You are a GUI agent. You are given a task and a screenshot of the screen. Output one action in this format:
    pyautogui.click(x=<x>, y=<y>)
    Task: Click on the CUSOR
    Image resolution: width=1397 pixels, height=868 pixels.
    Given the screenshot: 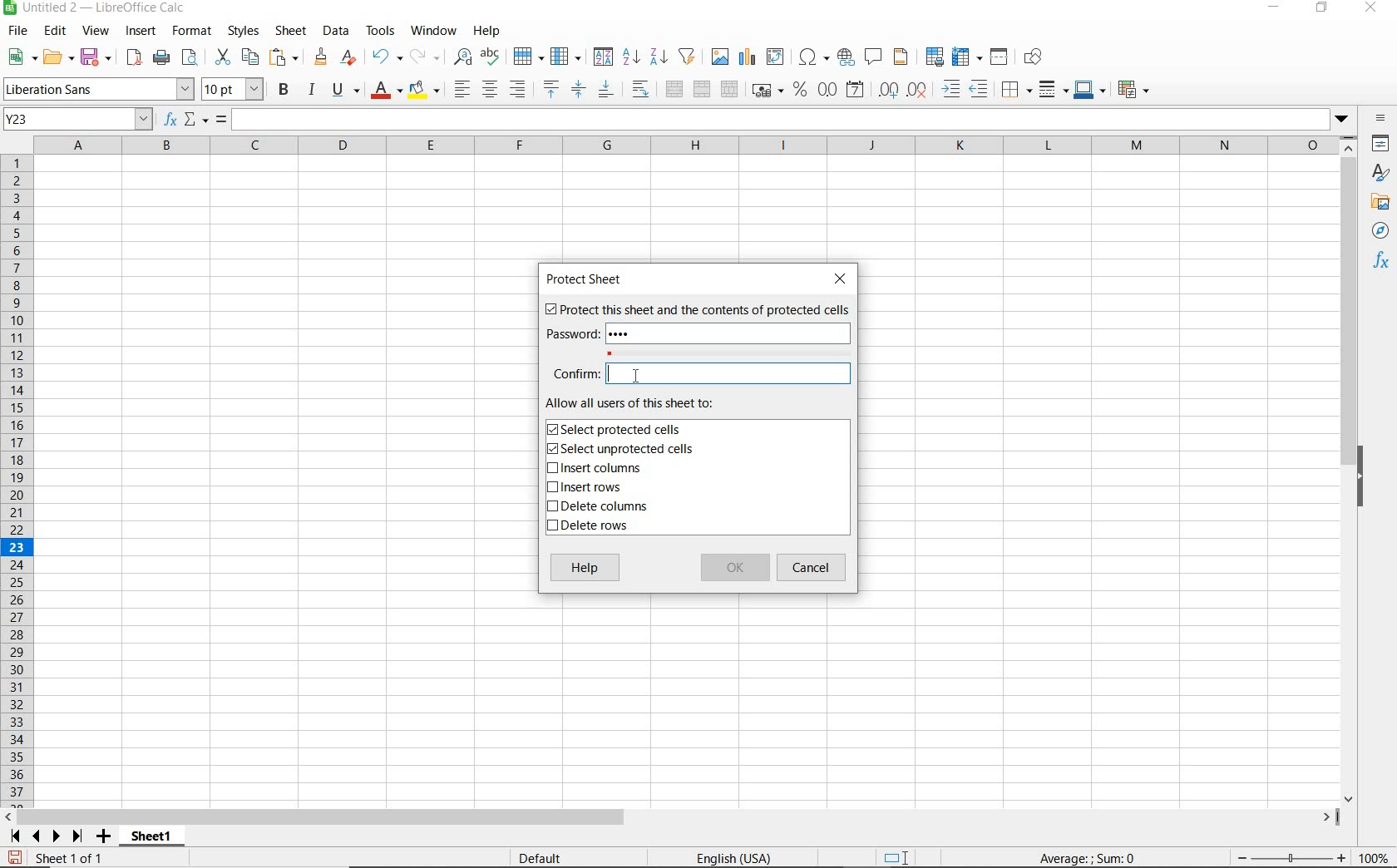 What is the action you would take?
    pyautogui.click(x=634, y=377)
    